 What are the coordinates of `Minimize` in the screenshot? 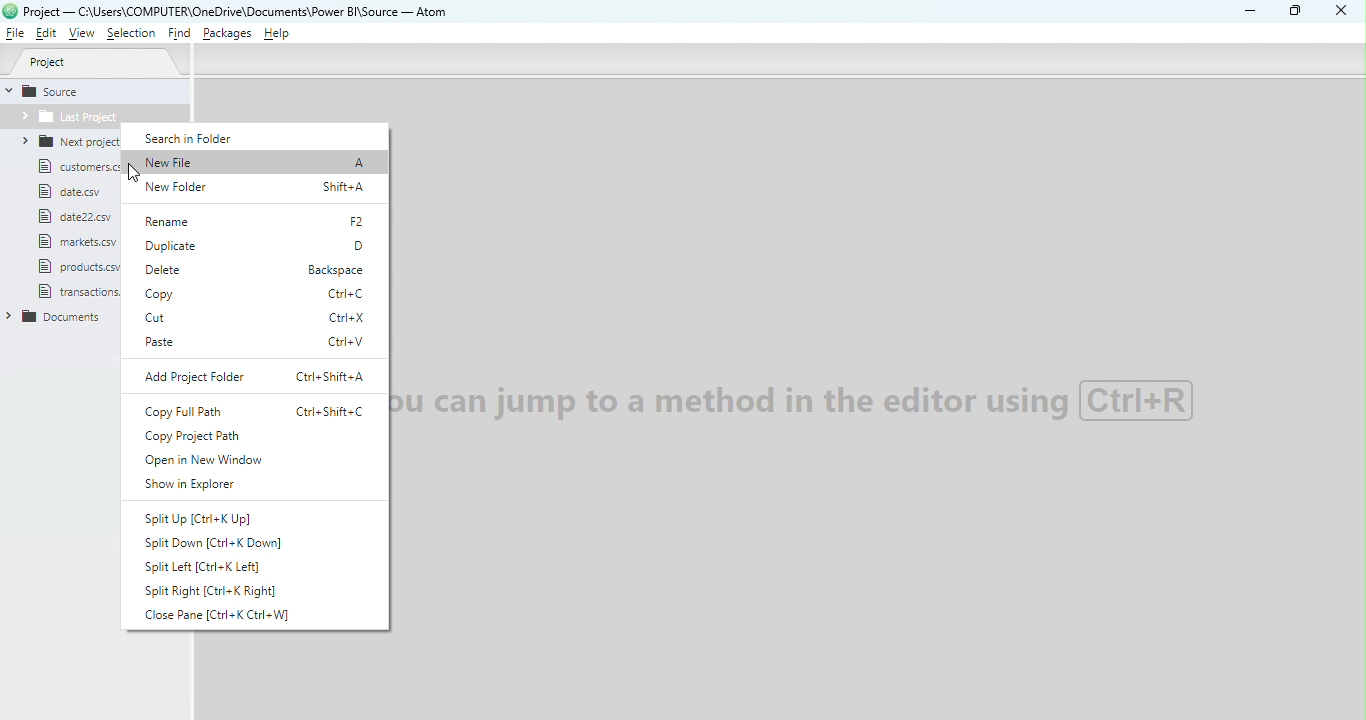 It's located at (1251, 12).